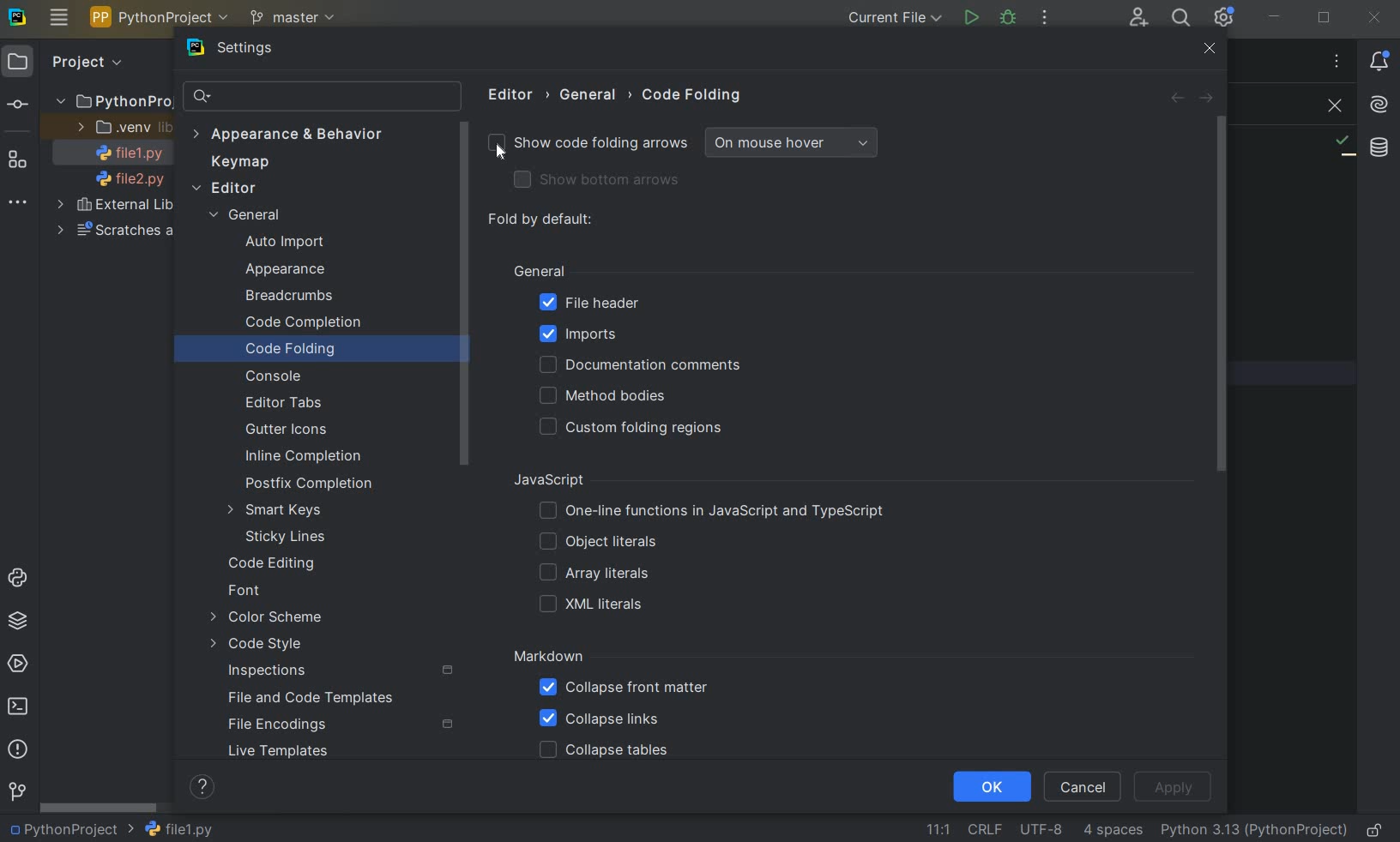 This screenshot has height=842, width=1400. Describe the element at coordinates (990, 788) in the screenshot. I see `OK` at that location.